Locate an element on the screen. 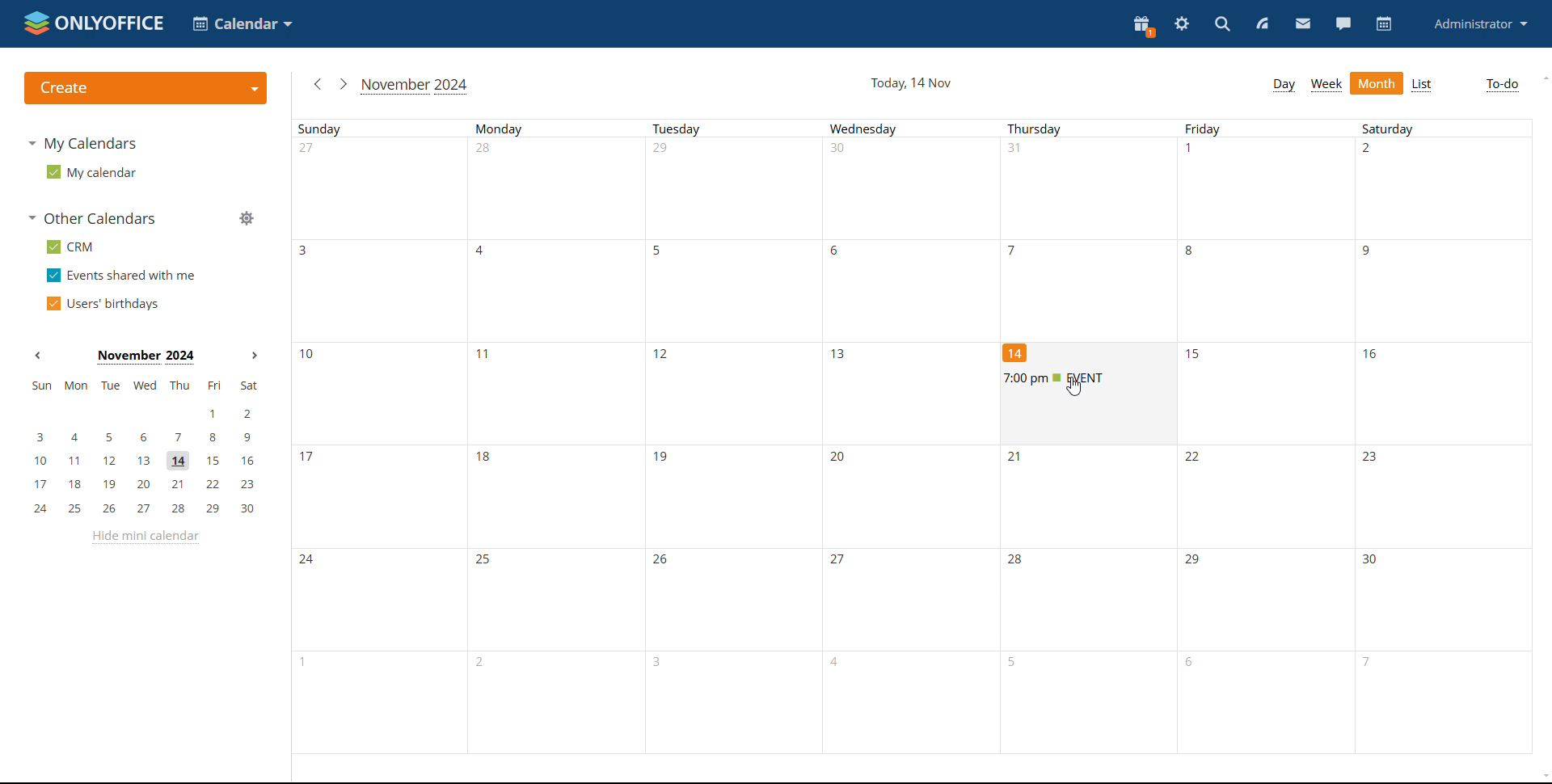  hide mini calendar is located at coordinates (145, 537).